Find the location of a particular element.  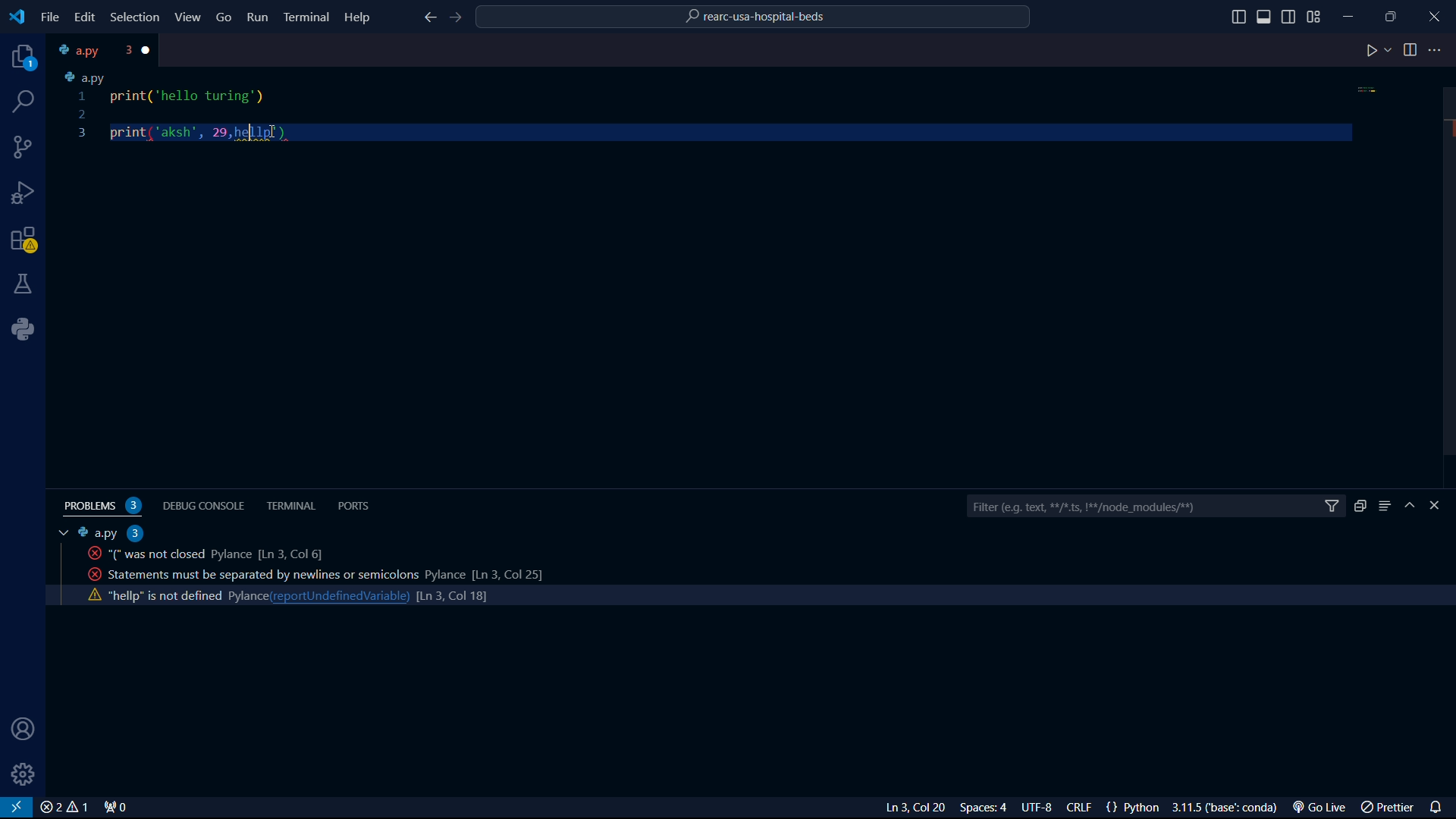

close bar is located at coordinates (1442, 506).